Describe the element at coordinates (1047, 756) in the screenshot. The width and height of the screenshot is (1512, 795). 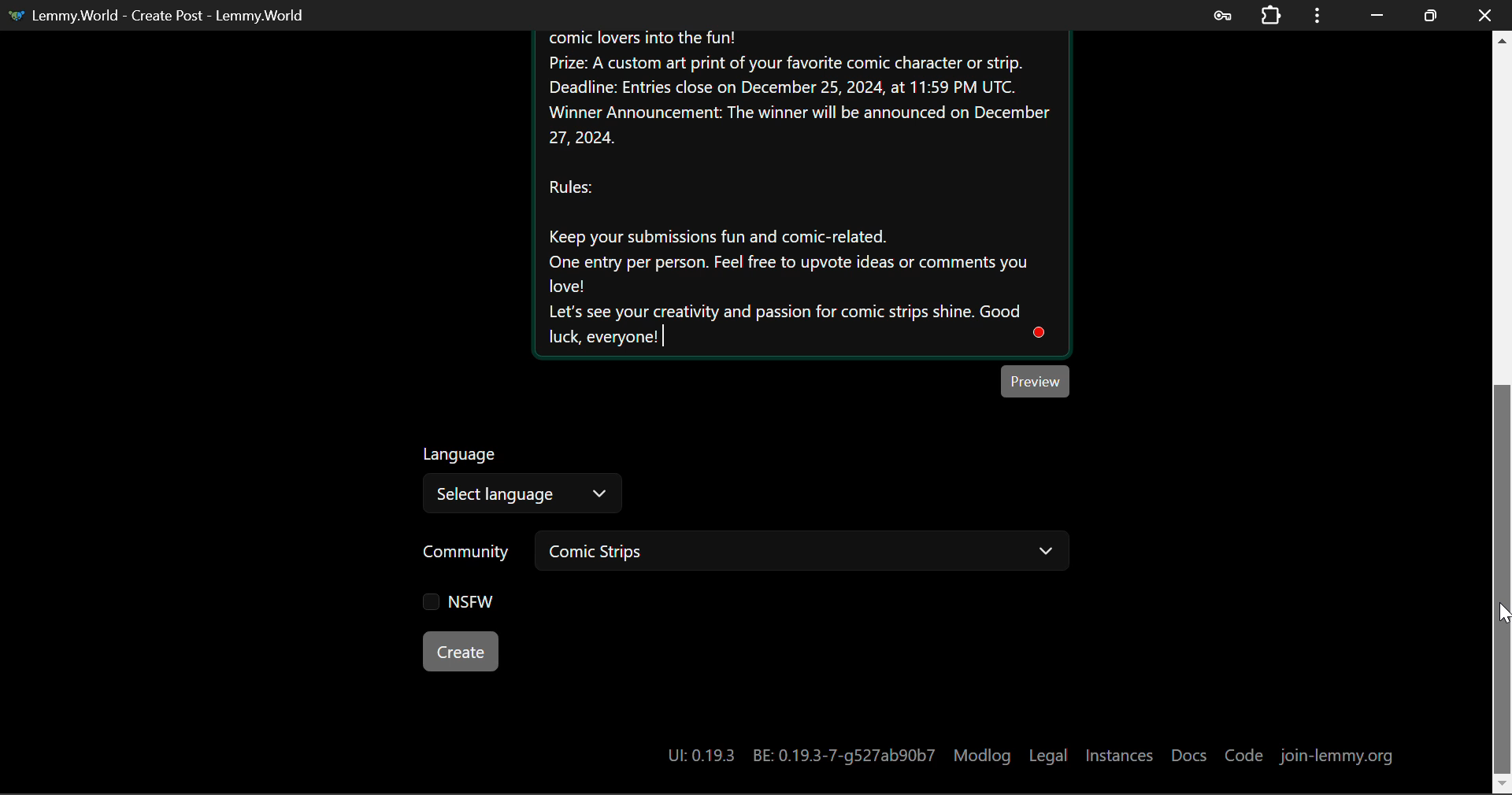
I see `Legal` at that location.